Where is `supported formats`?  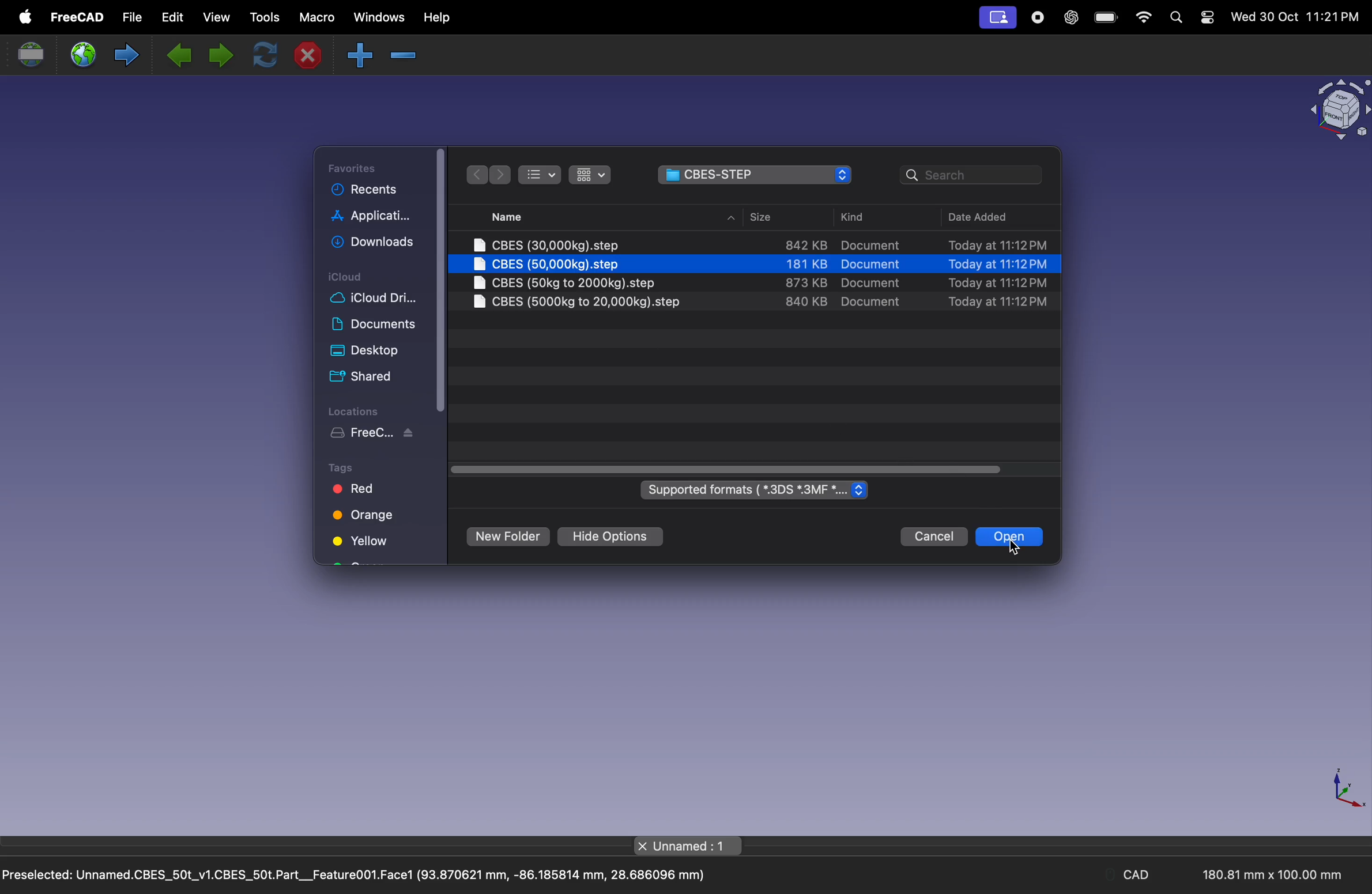 supported formats is located at coordinates (756, 492).